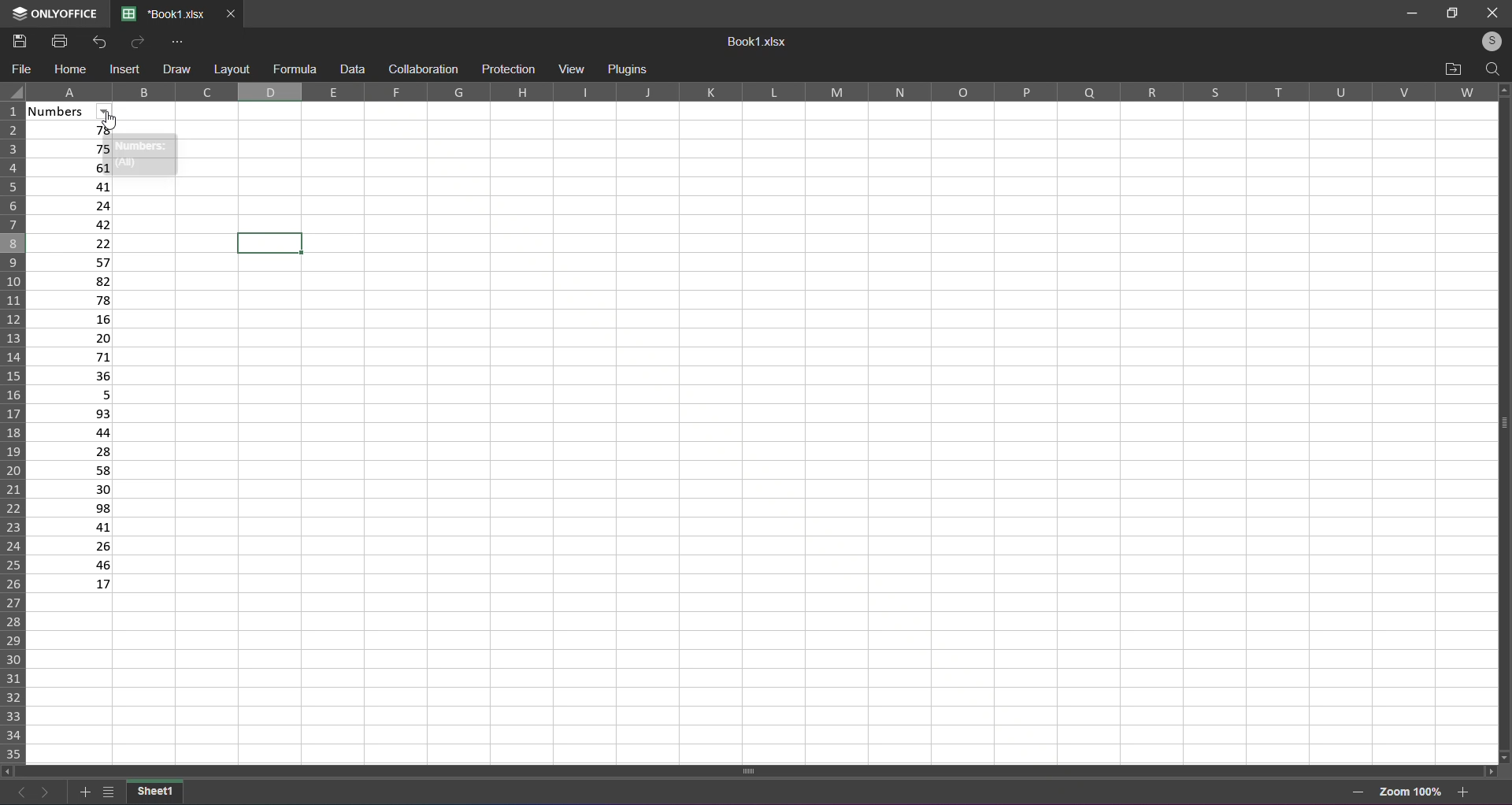  I want to click on ONLYOFFICE, so click(51, 14).